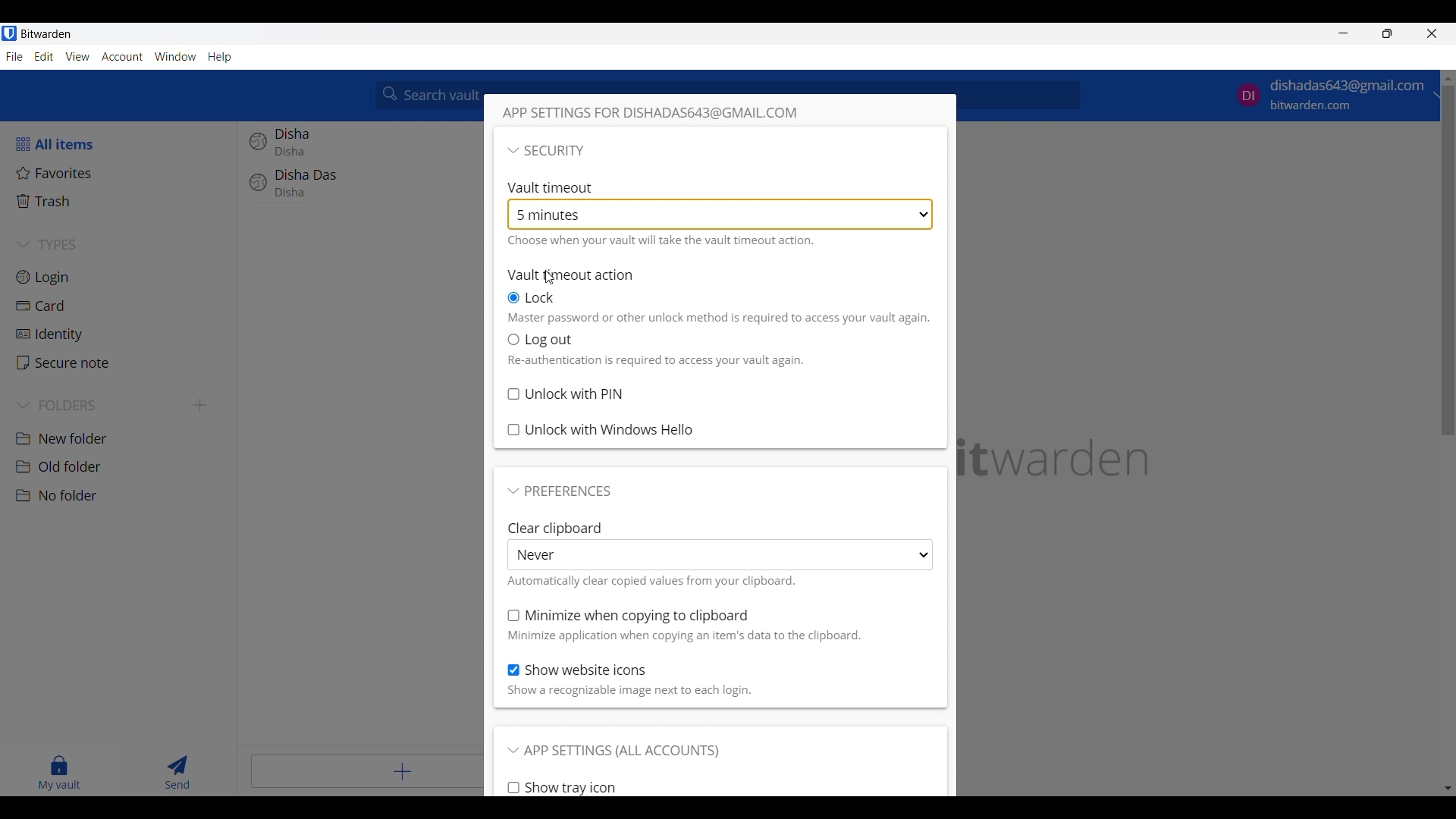 Image resolution: width=1456 pixels, height=819 pixels. Describe the element at coordinates (1387, 33) in the screenshot. I see `Show interface in a smaller tab` at that location.